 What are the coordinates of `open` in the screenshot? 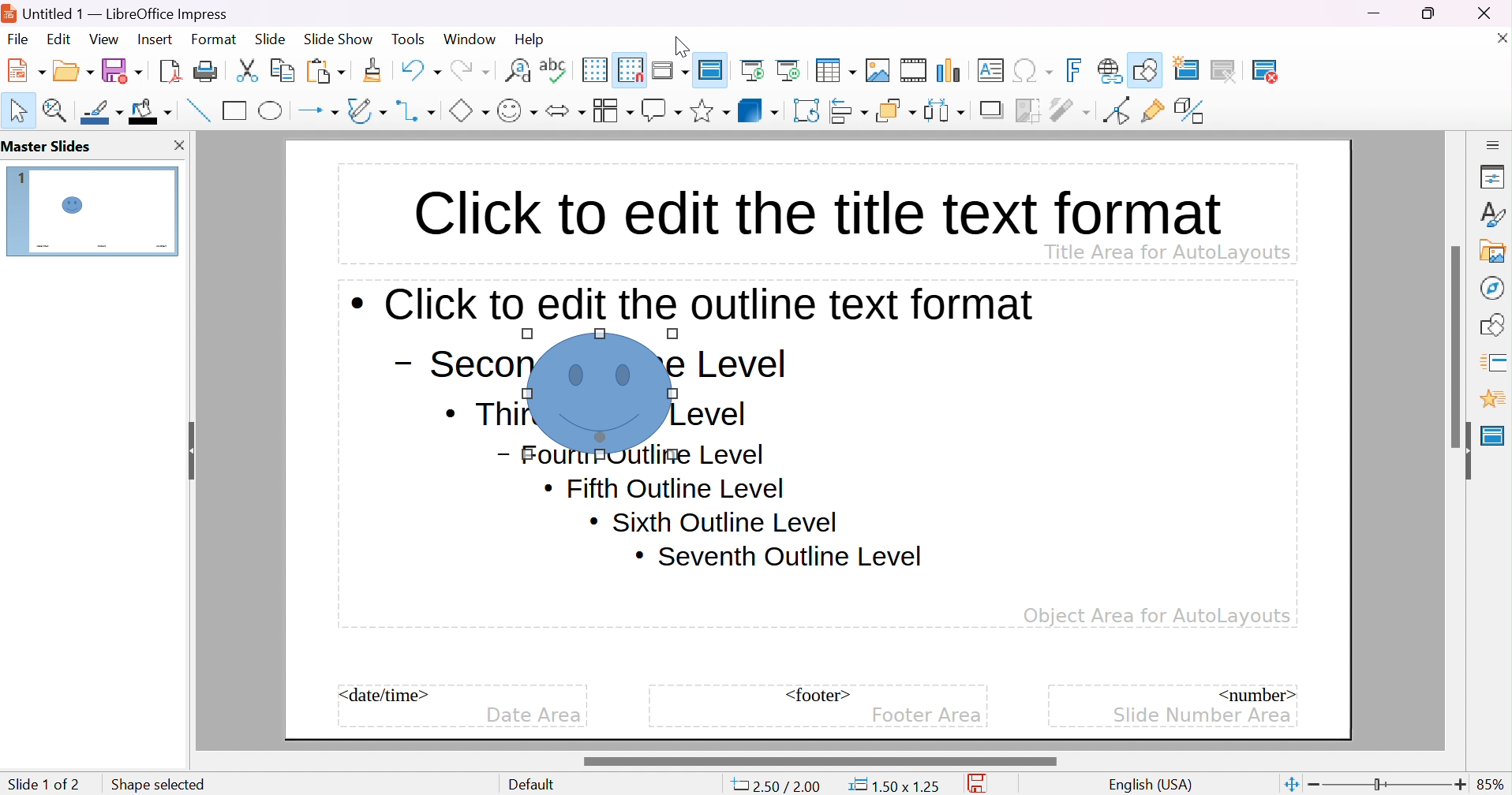 It's located at (75, 69).